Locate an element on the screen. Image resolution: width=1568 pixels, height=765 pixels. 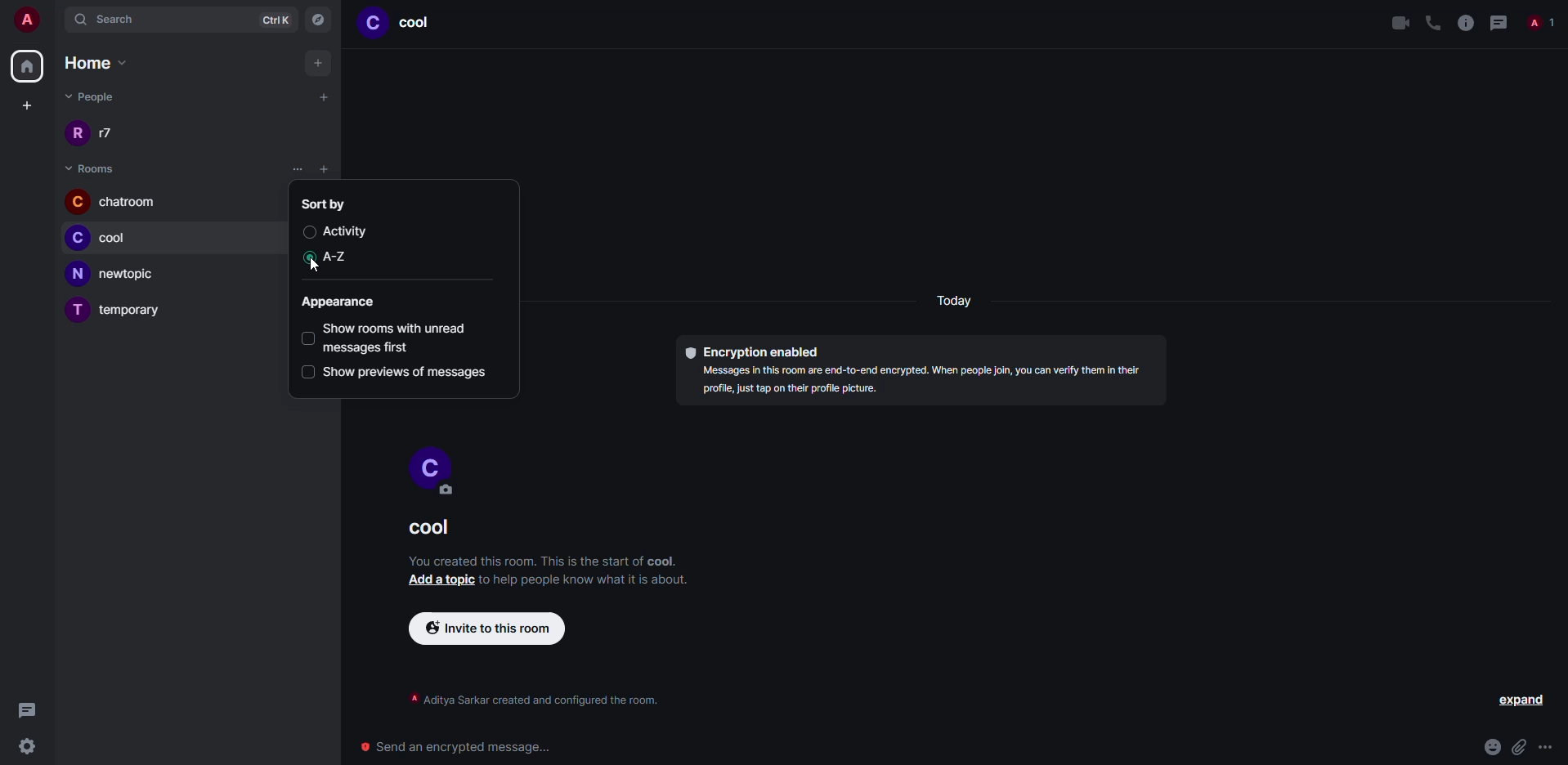
list options is located at coordinates (329, 170).